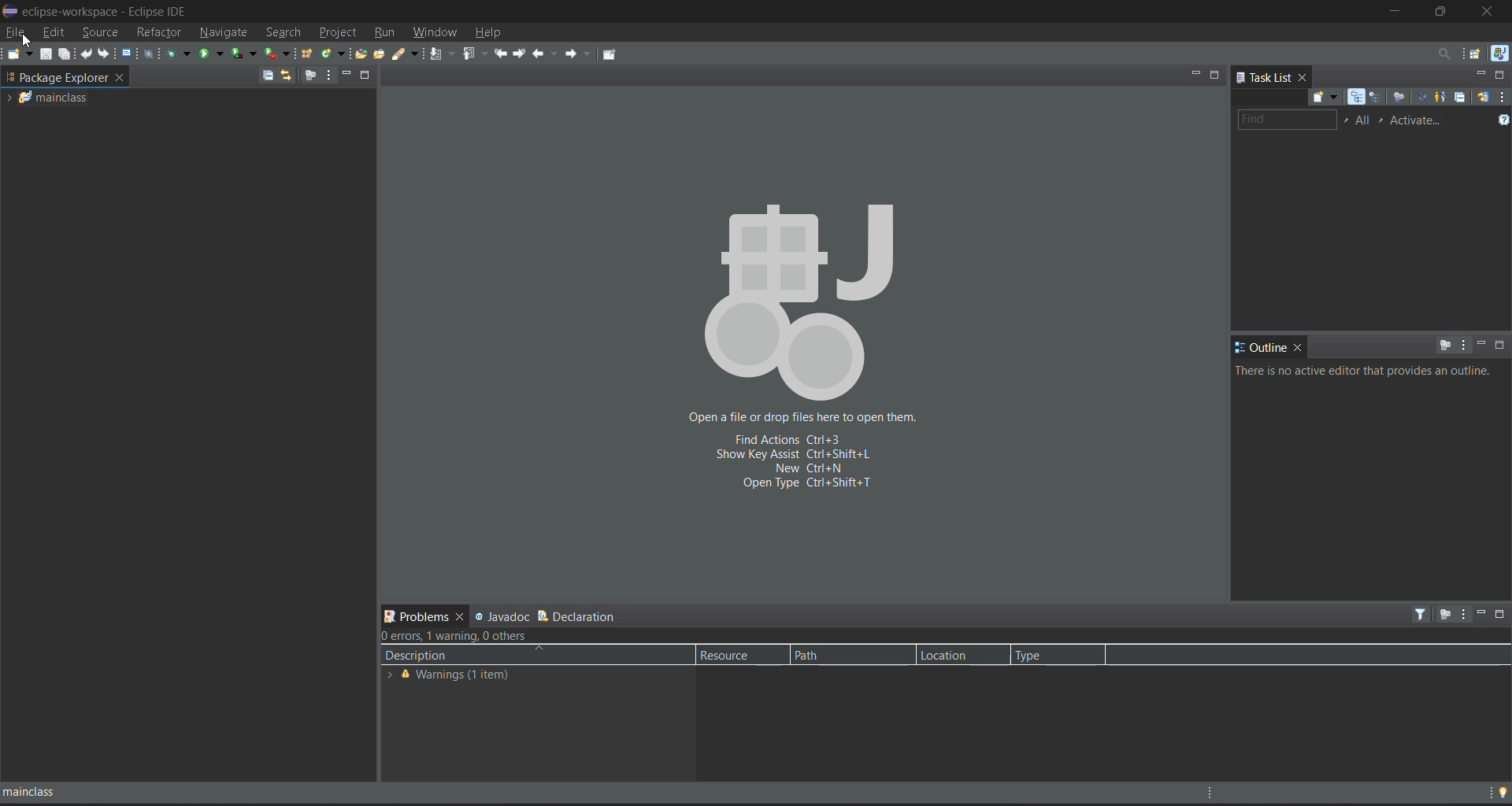 The height and width of the screenshot is (806, 1512). I want to click on save all, so click(68, 55).